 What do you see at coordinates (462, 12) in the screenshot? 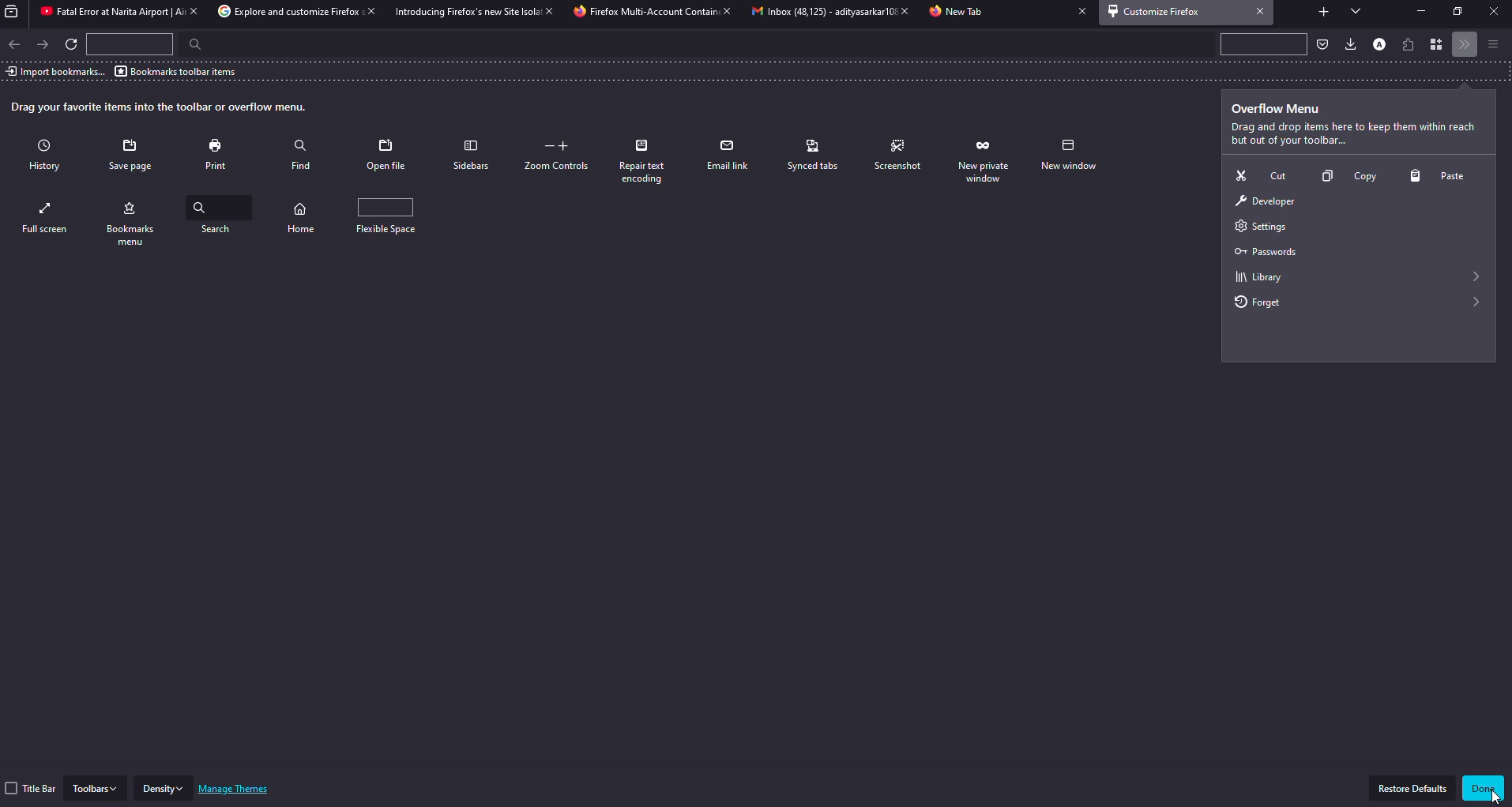
I see `tab` at bounding box center [462, 12].